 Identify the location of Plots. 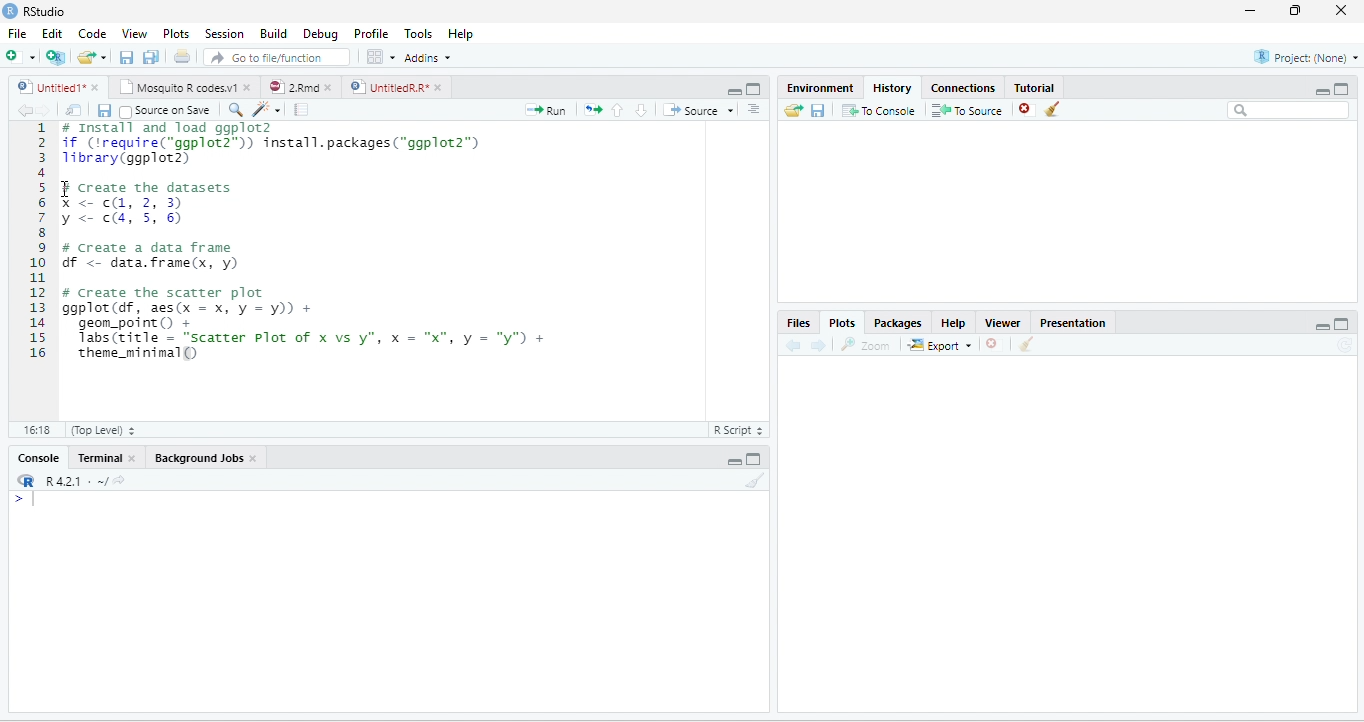
(842, 321).